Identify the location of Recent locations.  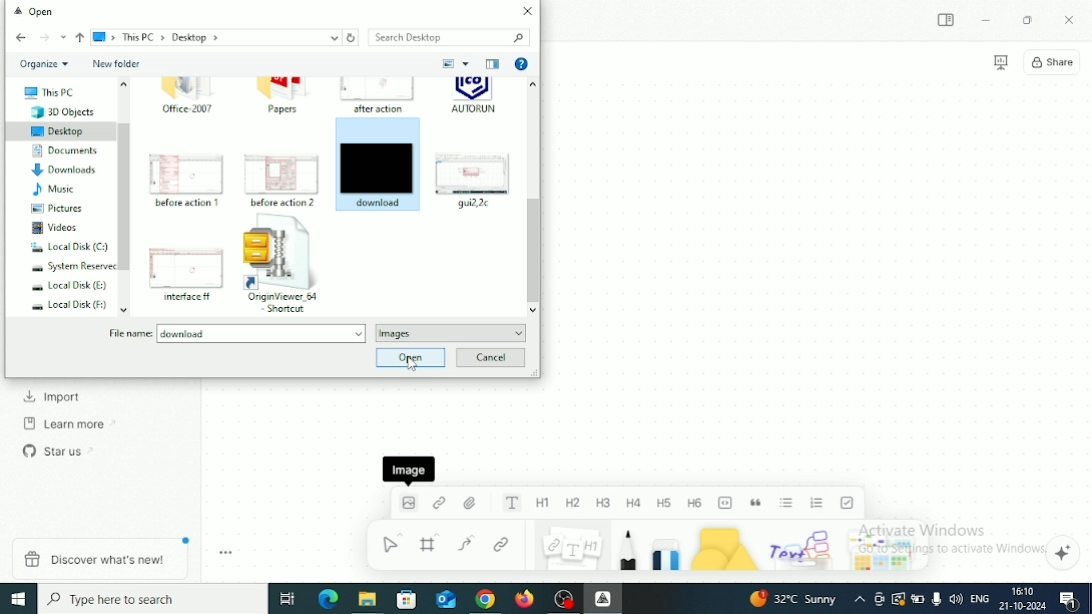
(63, 38).